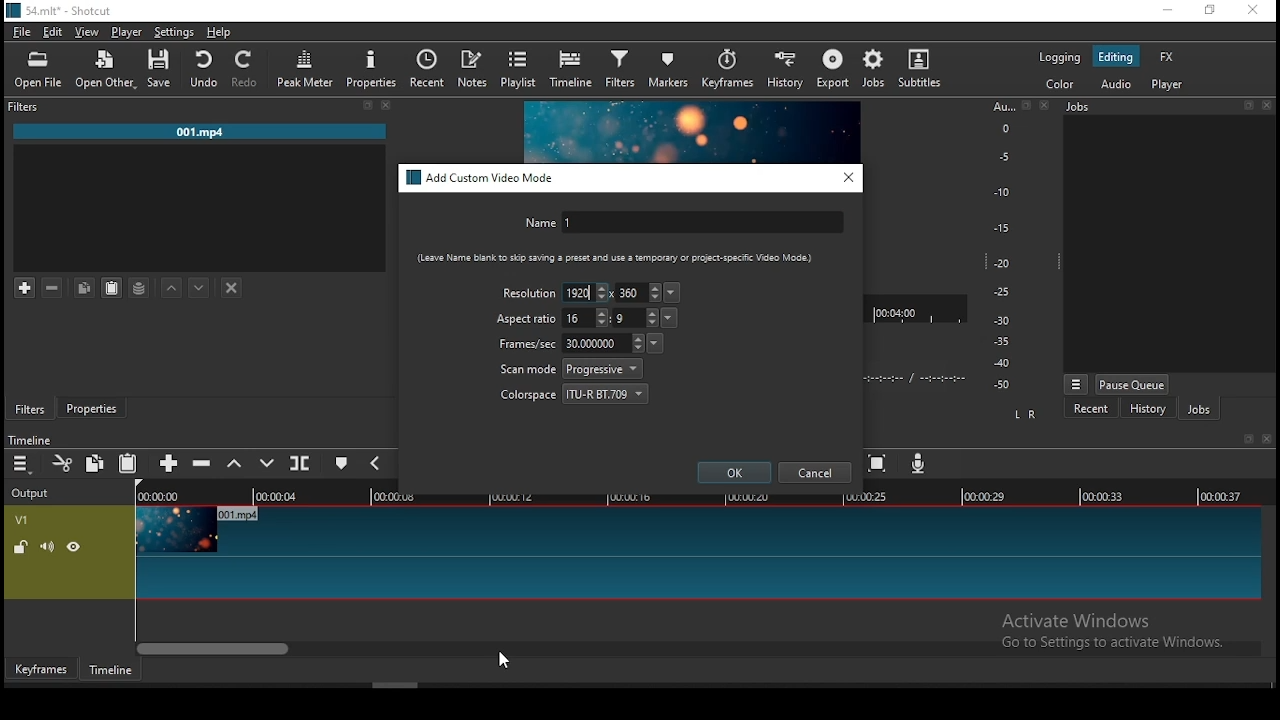  What do you see at coordinates (1000, 227) in the screenshot?
I see `-15` at bounding box center [1000, 227].